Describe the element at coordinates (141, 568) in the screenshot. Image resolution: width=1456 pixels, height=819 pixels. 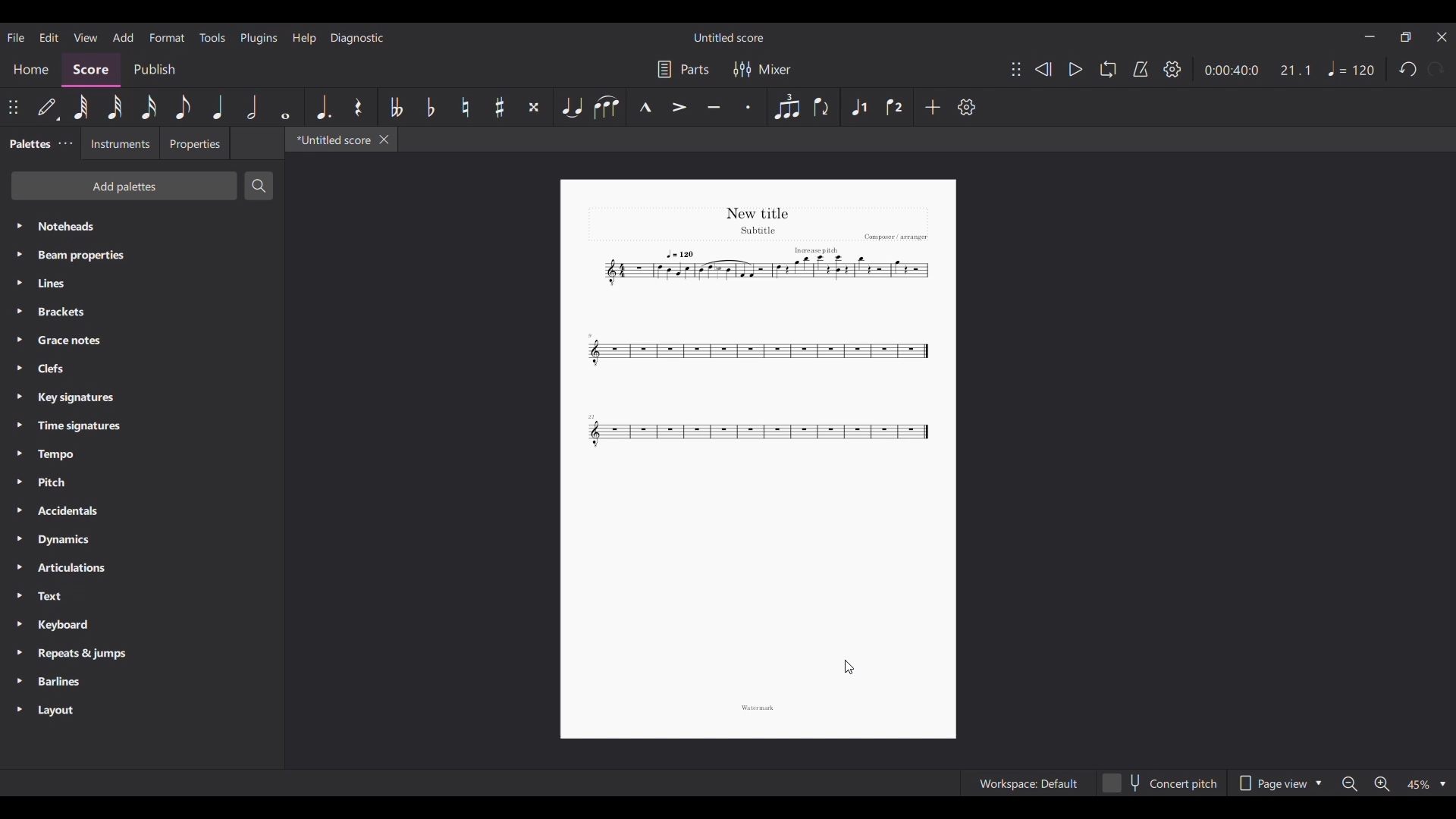
I see `Articulations` at that location.